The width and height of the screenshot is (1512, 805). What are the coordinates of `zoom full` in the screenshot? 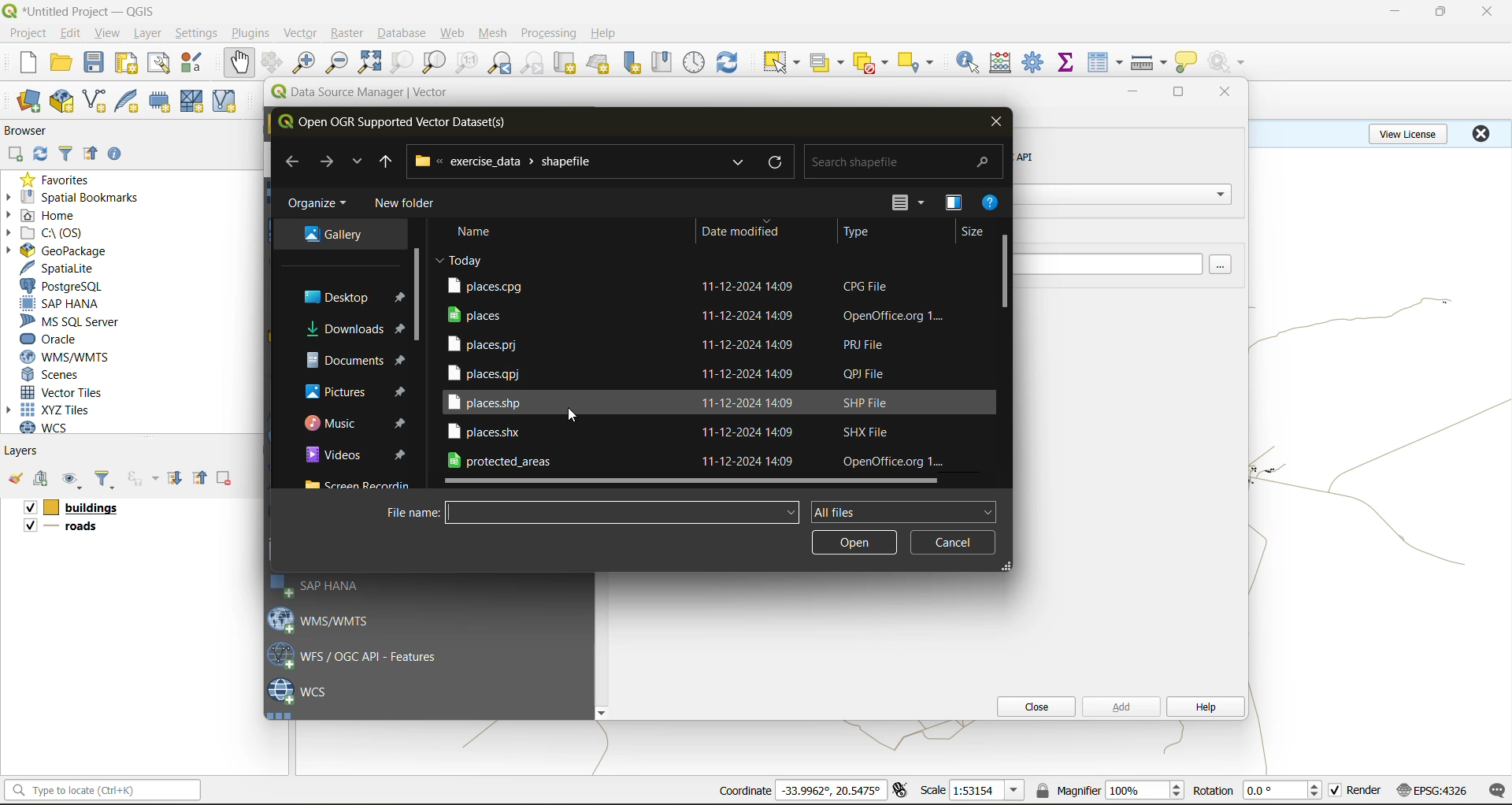 It's located at (369, 62).